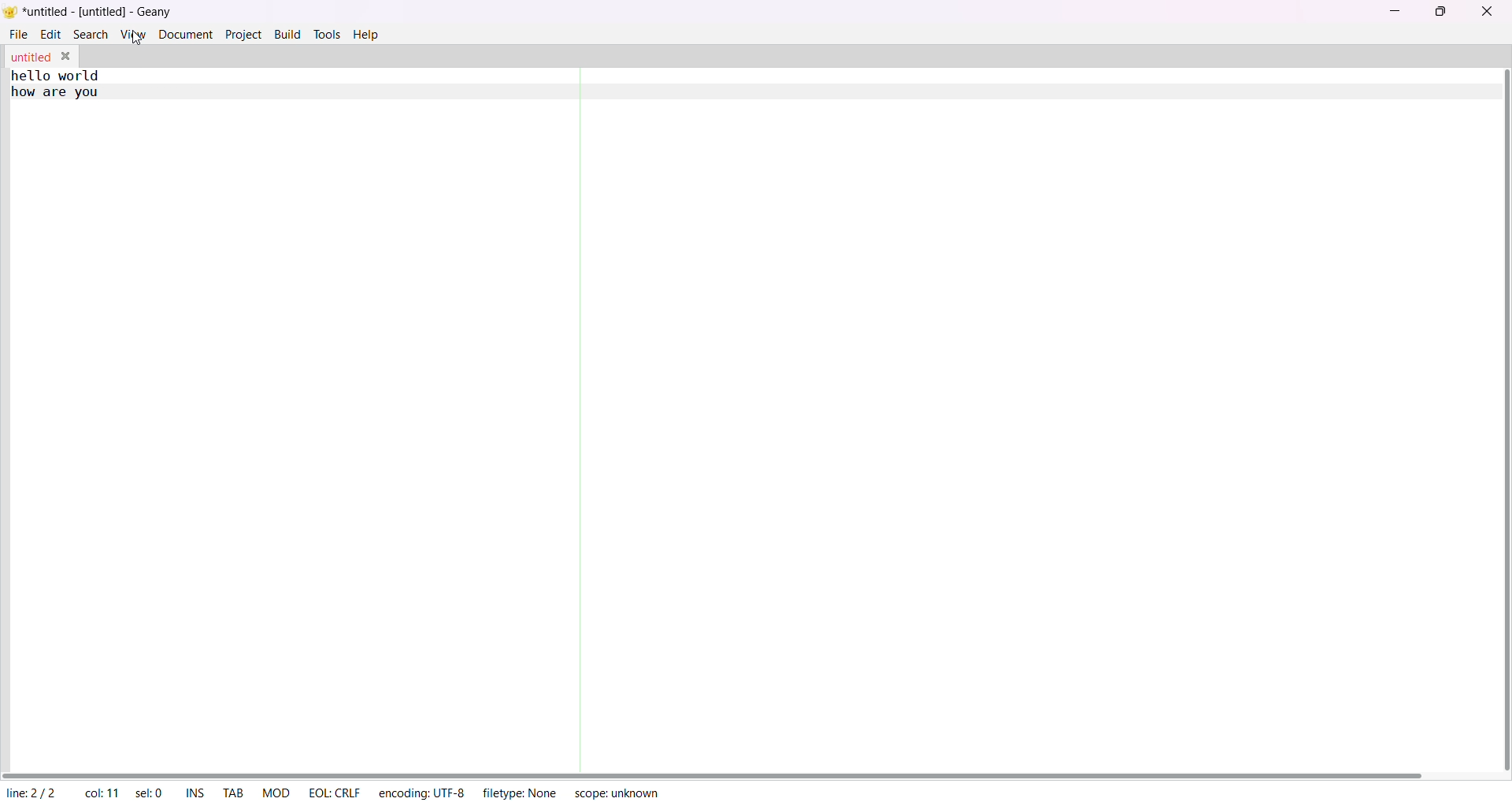 Image resolution: width=1512 pixels, height=802 pixels. Describe the element at coordinates (421, 792) in the screenshot. I see `encoding` at that location.